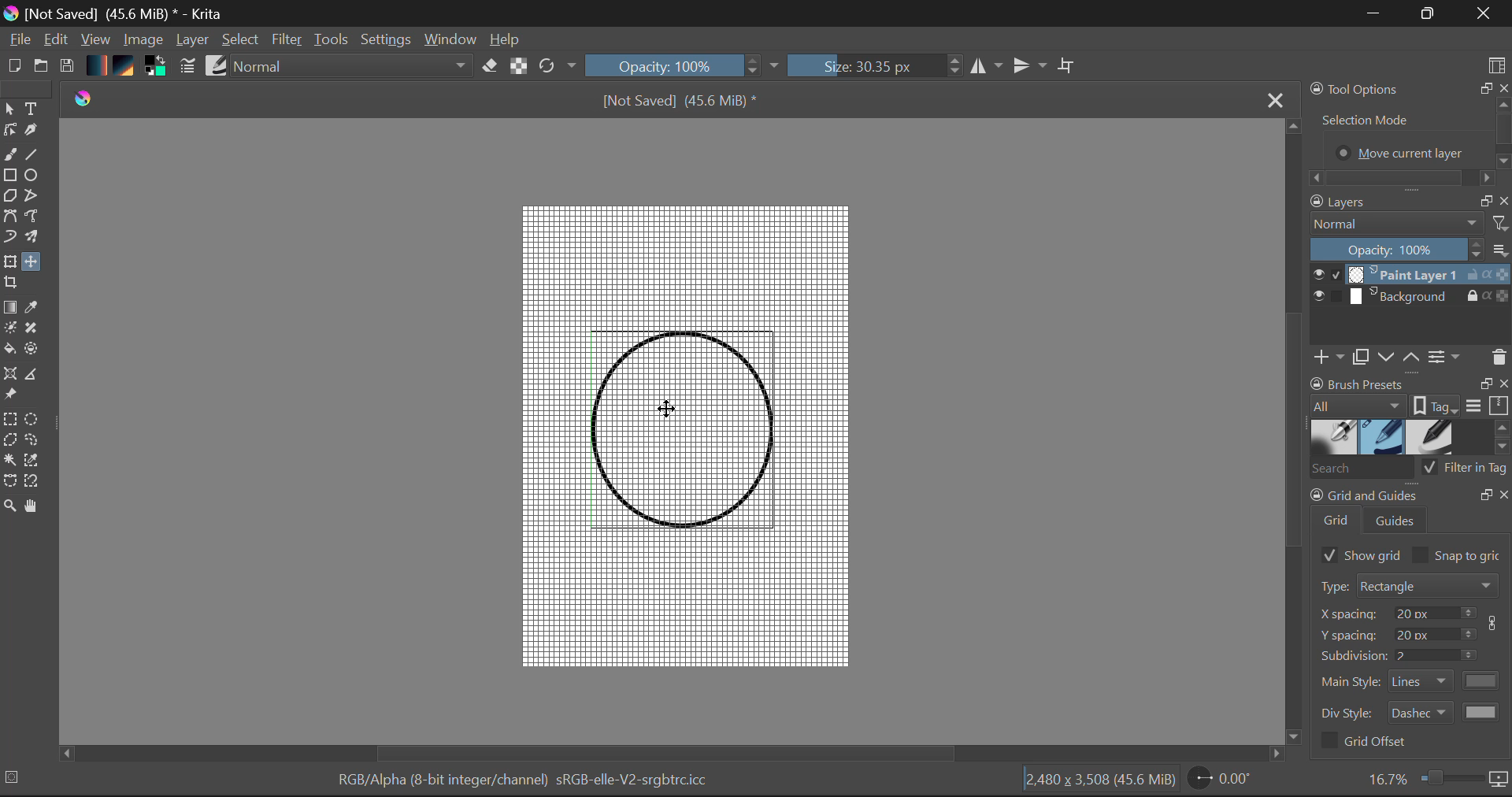 The height and width of the screenshot is (797, 1512). What do you see at coordinates (13, 284) in the screenshot?
I see `Crop` at bounding box center [13, 284].